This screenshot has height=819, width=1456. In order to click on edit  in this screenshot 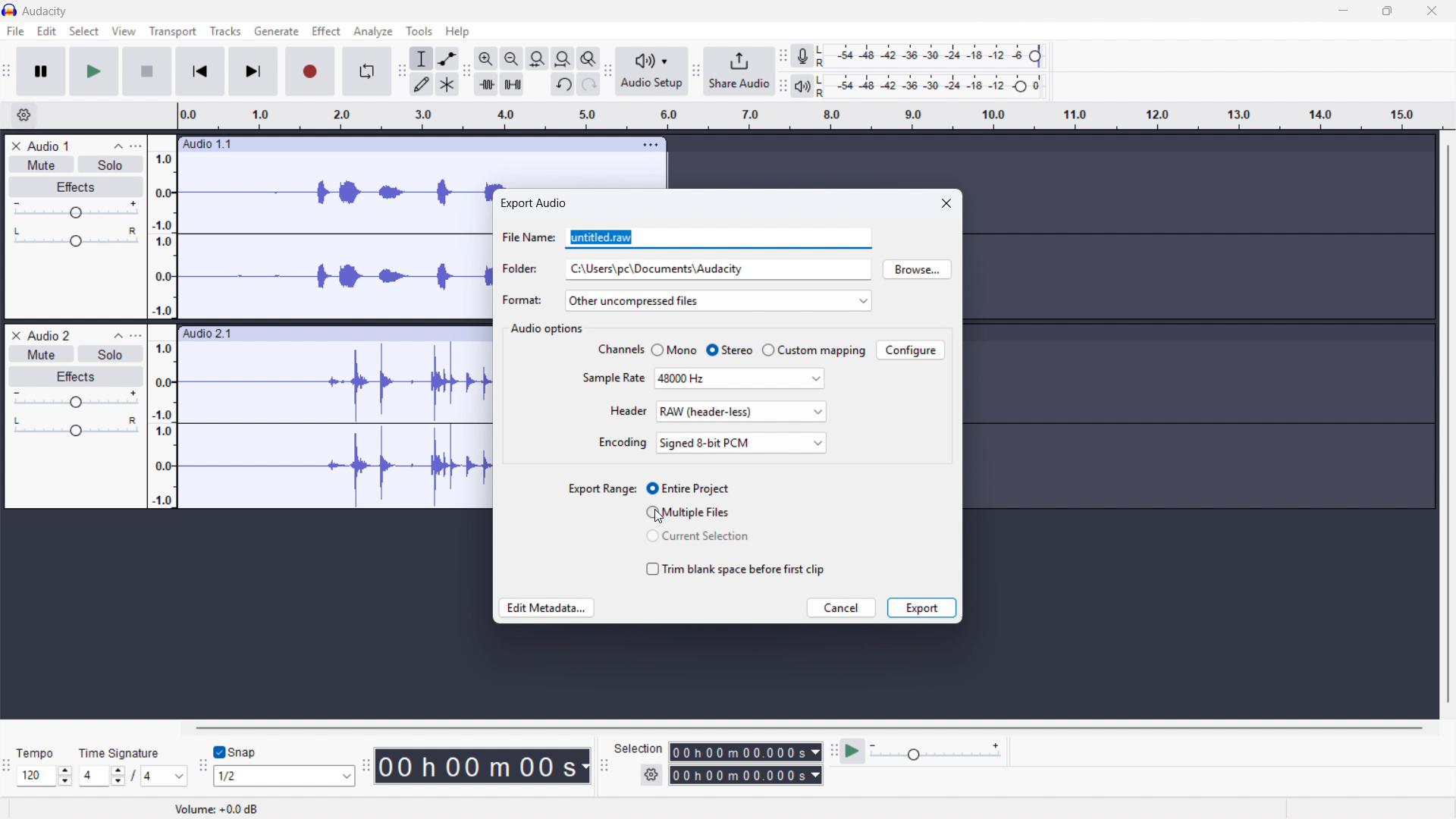, I will do `click(46, 31)`.